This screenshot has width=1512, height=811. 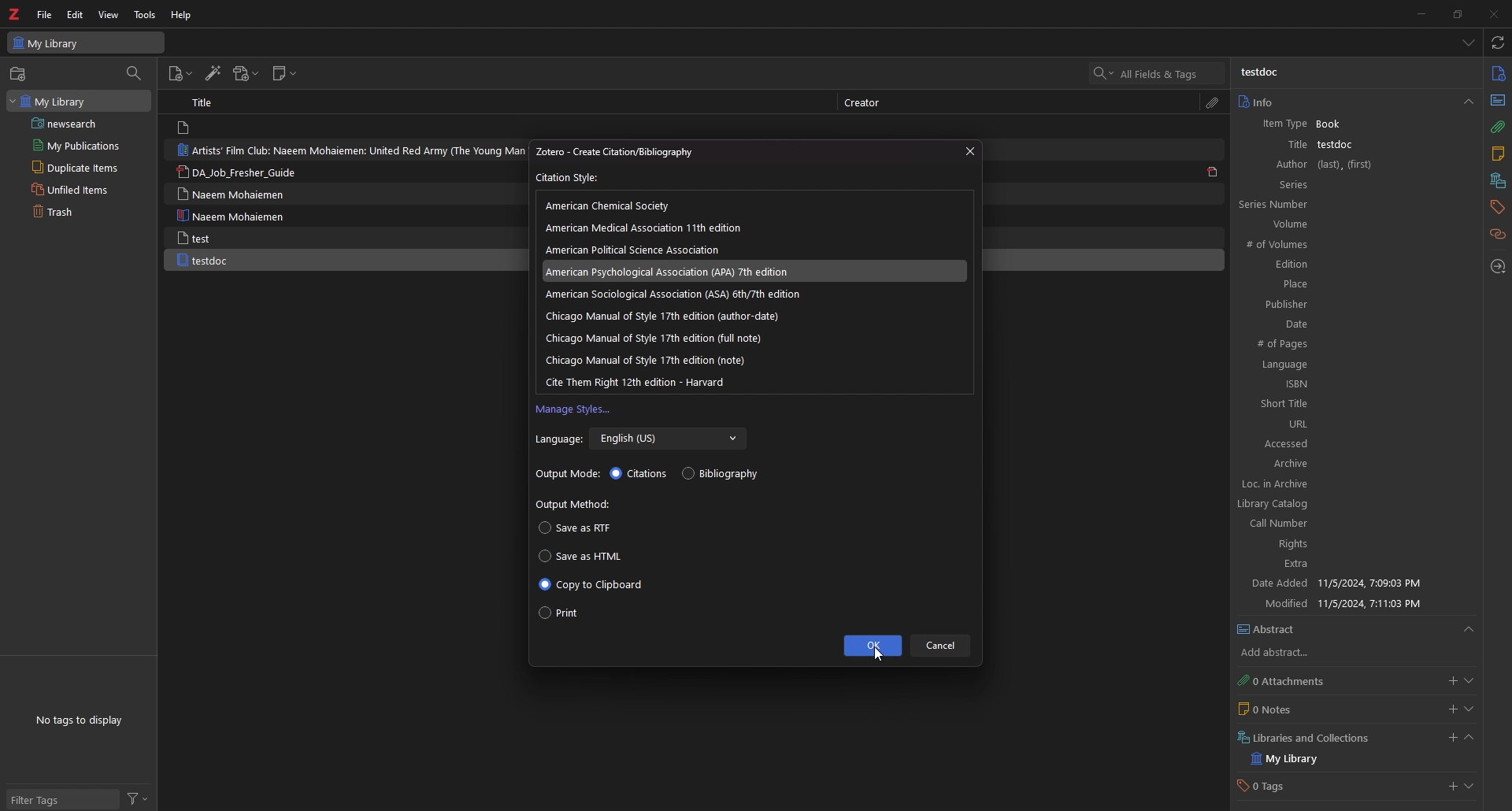 I want to click on filter tags, so click(x=61, y=801).